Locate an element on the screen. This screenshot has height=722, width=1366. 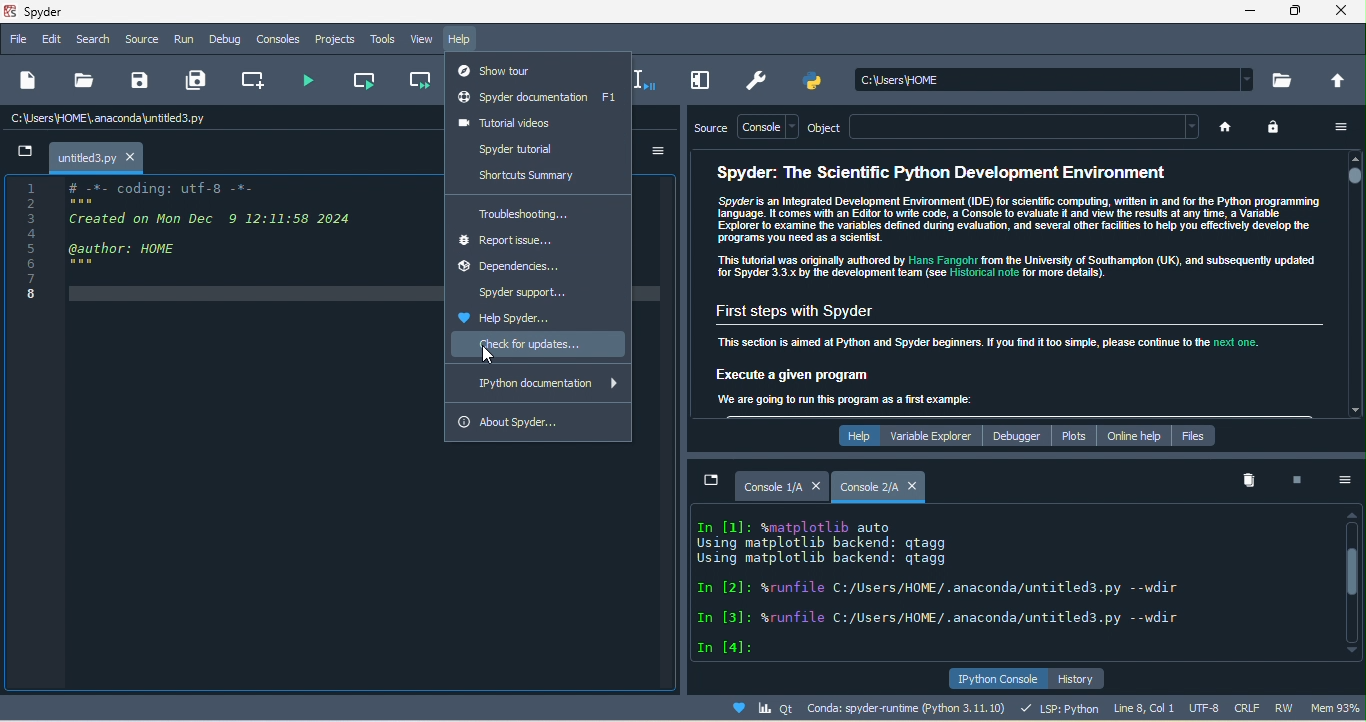
console is located at coordinates (768, 126).